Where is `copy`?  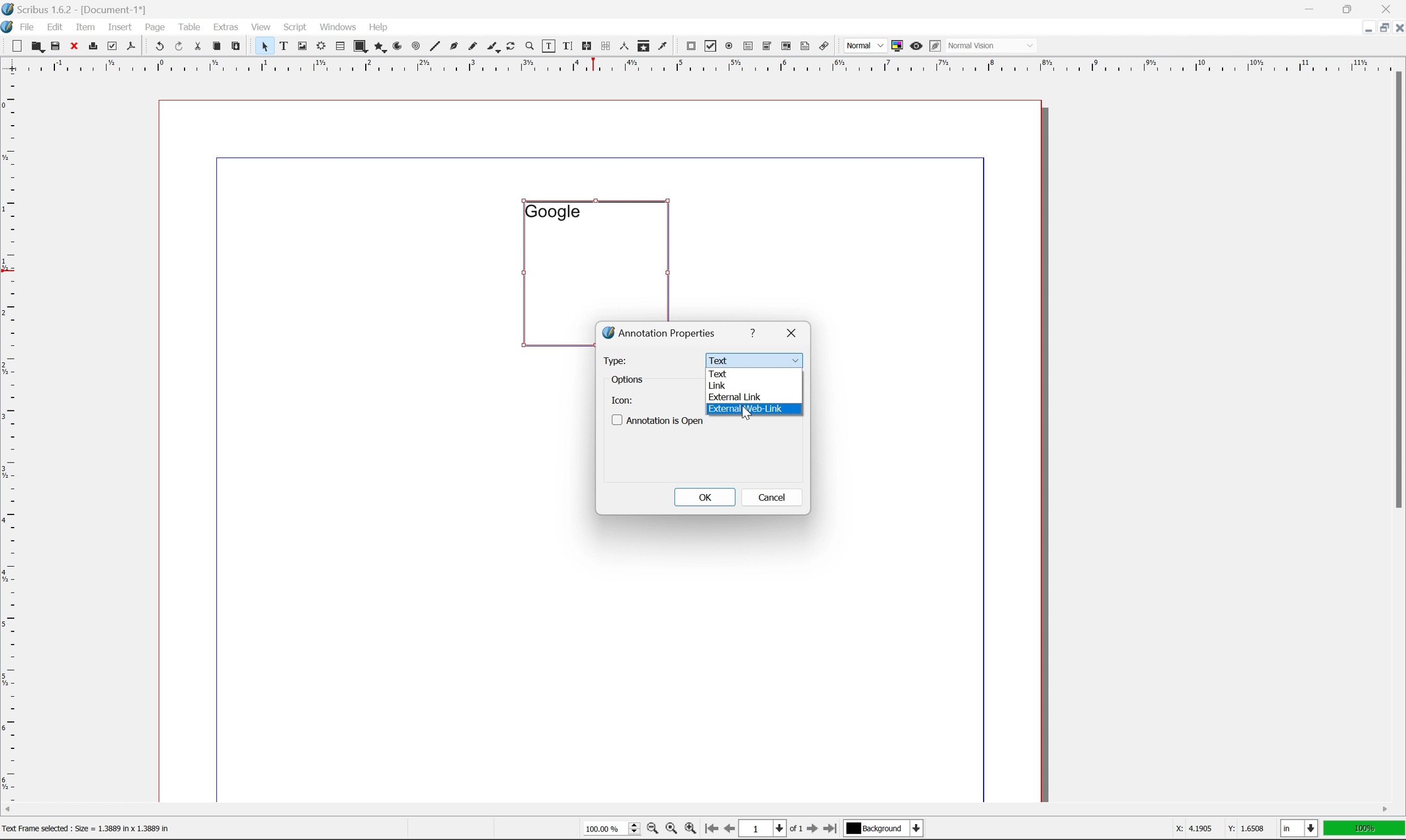 copy is located at coordinates (219, 47).